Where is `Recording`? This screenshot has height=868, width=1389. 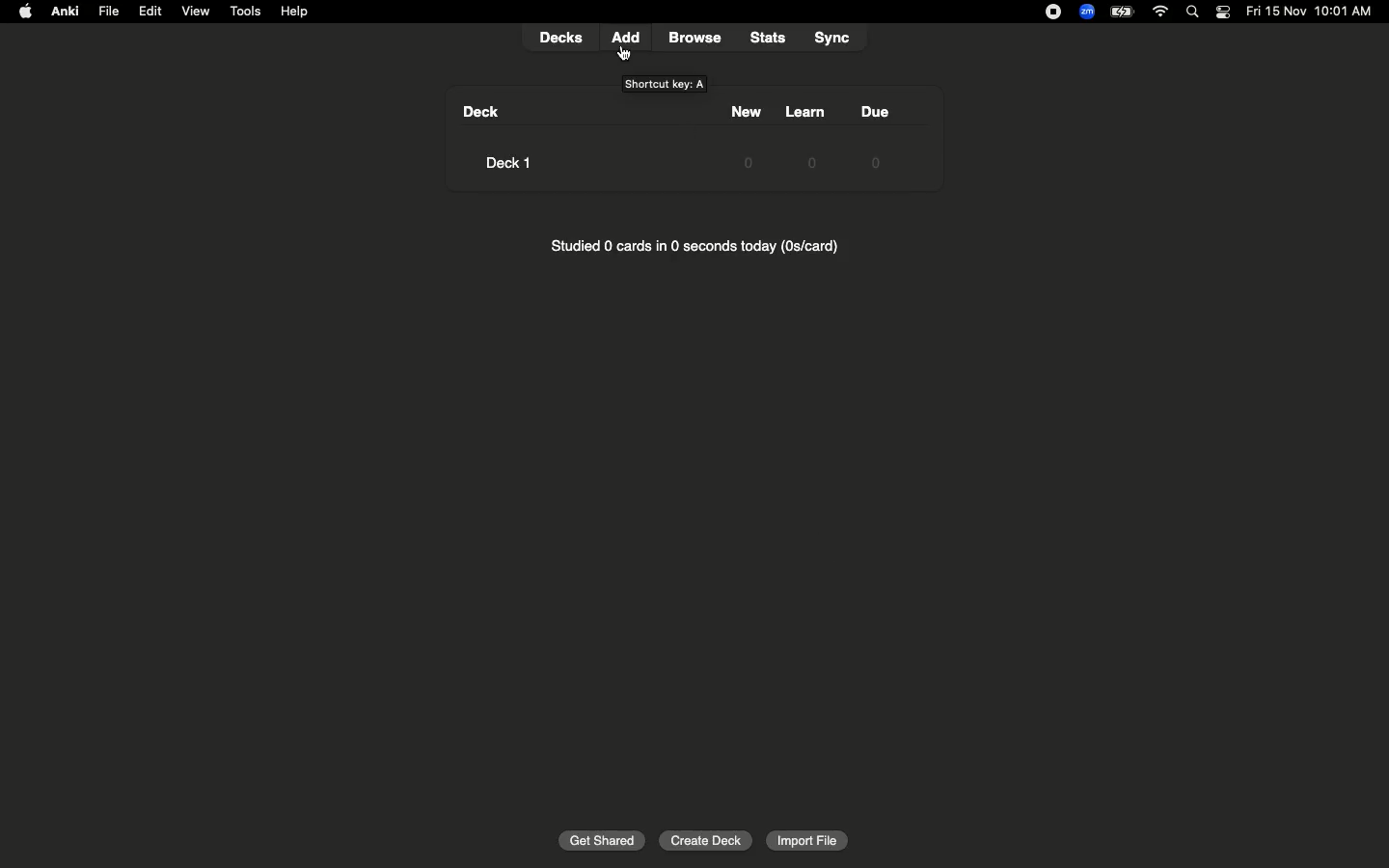
Recording is located at coordinates (1049, 13).